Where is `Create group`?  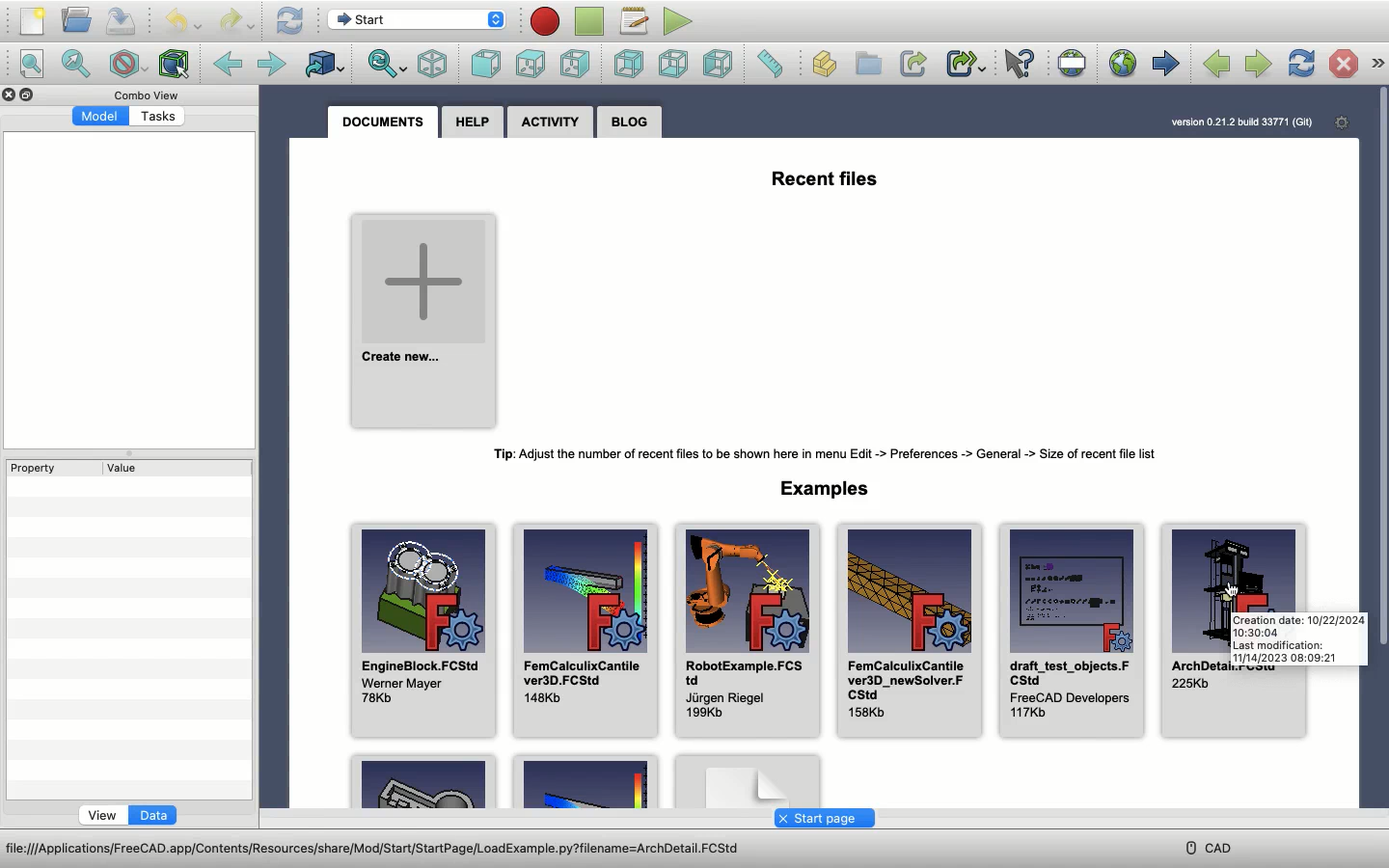
Create group is located at coordinates (867, 64).